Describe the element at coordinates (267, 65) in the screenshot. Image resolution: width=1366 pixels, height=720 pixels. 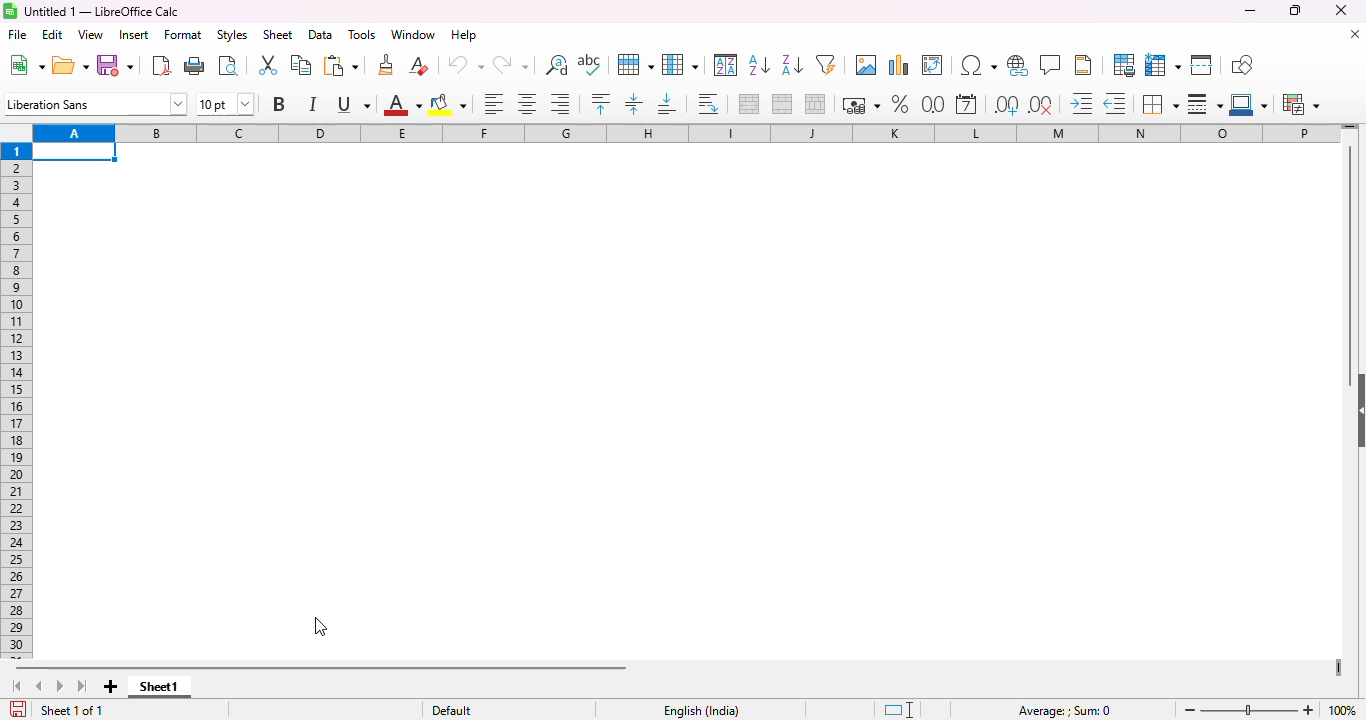
I see `cut` at that location.